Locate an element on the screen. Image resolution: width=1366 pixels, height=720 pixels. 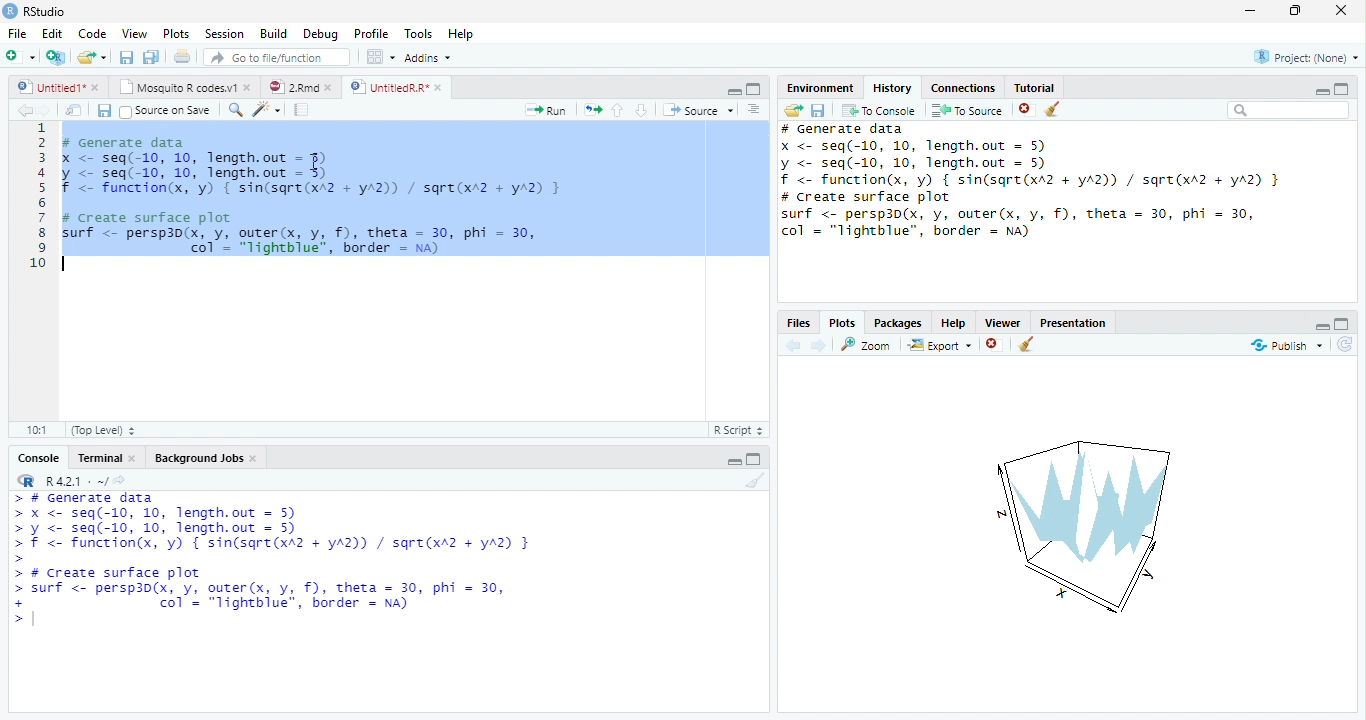
Go to previous section/chunk is located at coordinates (617, 110).